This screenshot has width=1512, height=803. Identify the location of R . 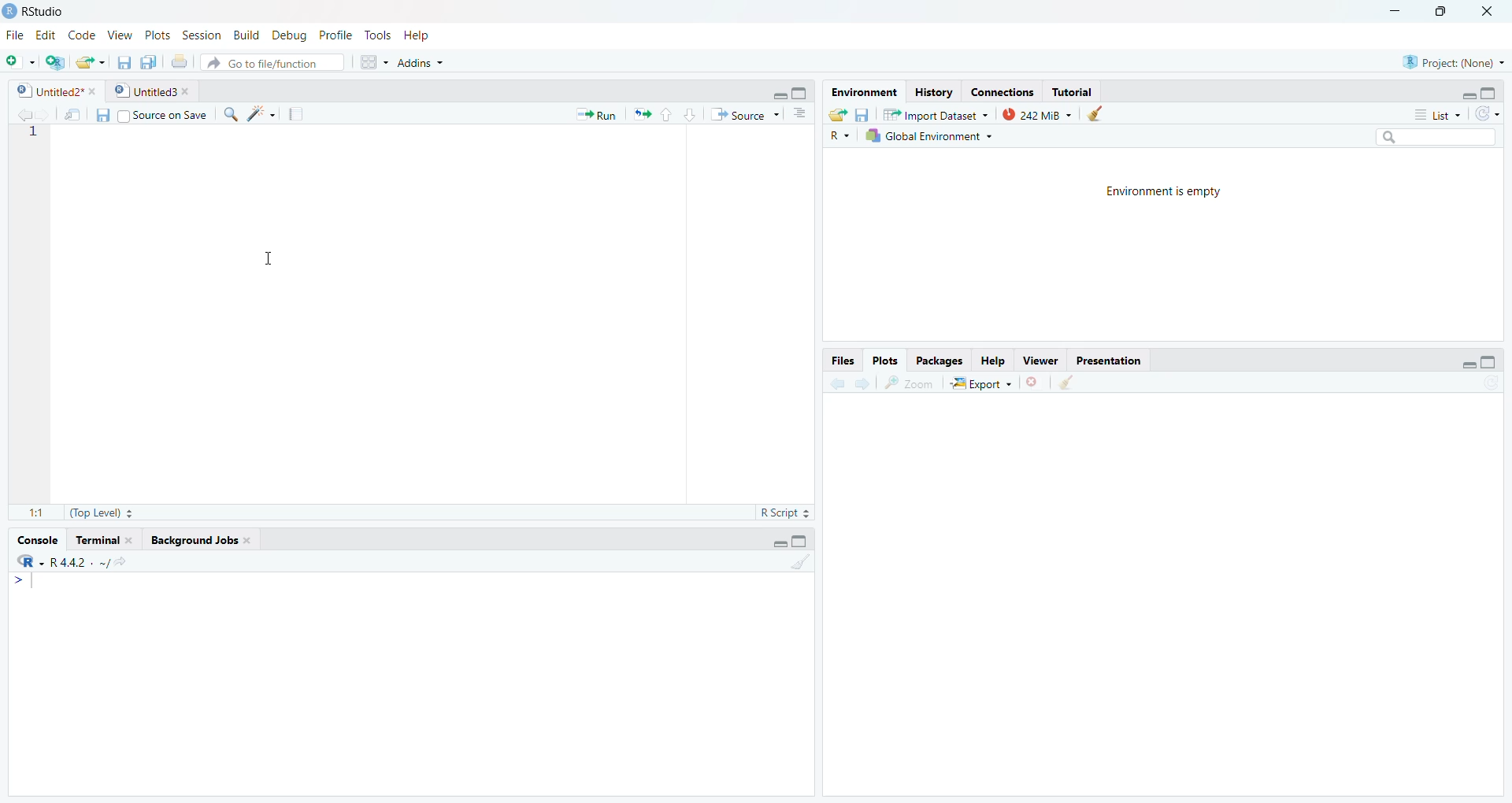
(31, 561).